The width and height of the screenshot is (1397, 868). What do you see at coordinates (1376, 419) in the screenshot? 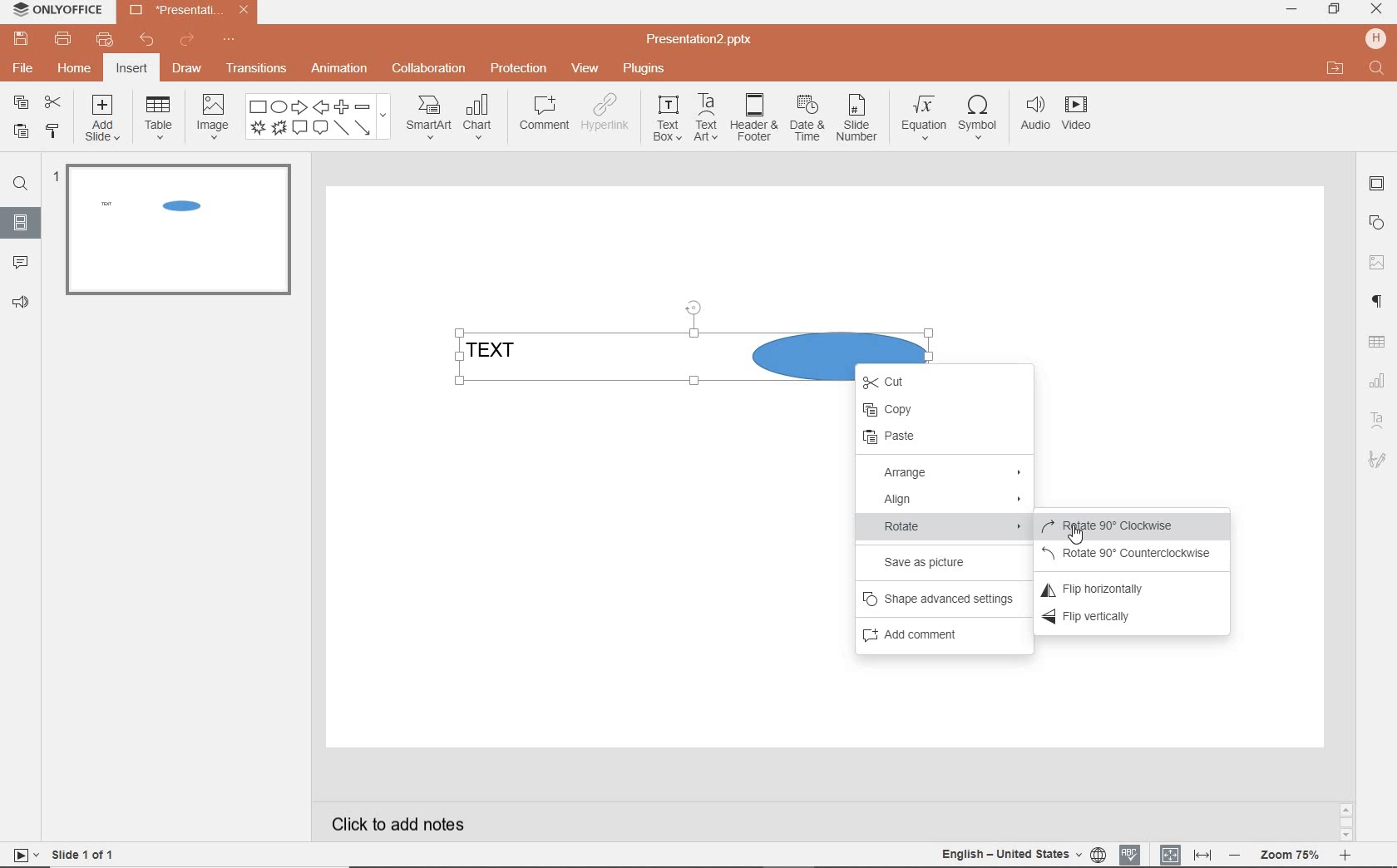
I see `Text Art` at bounding box center [1376, 419].